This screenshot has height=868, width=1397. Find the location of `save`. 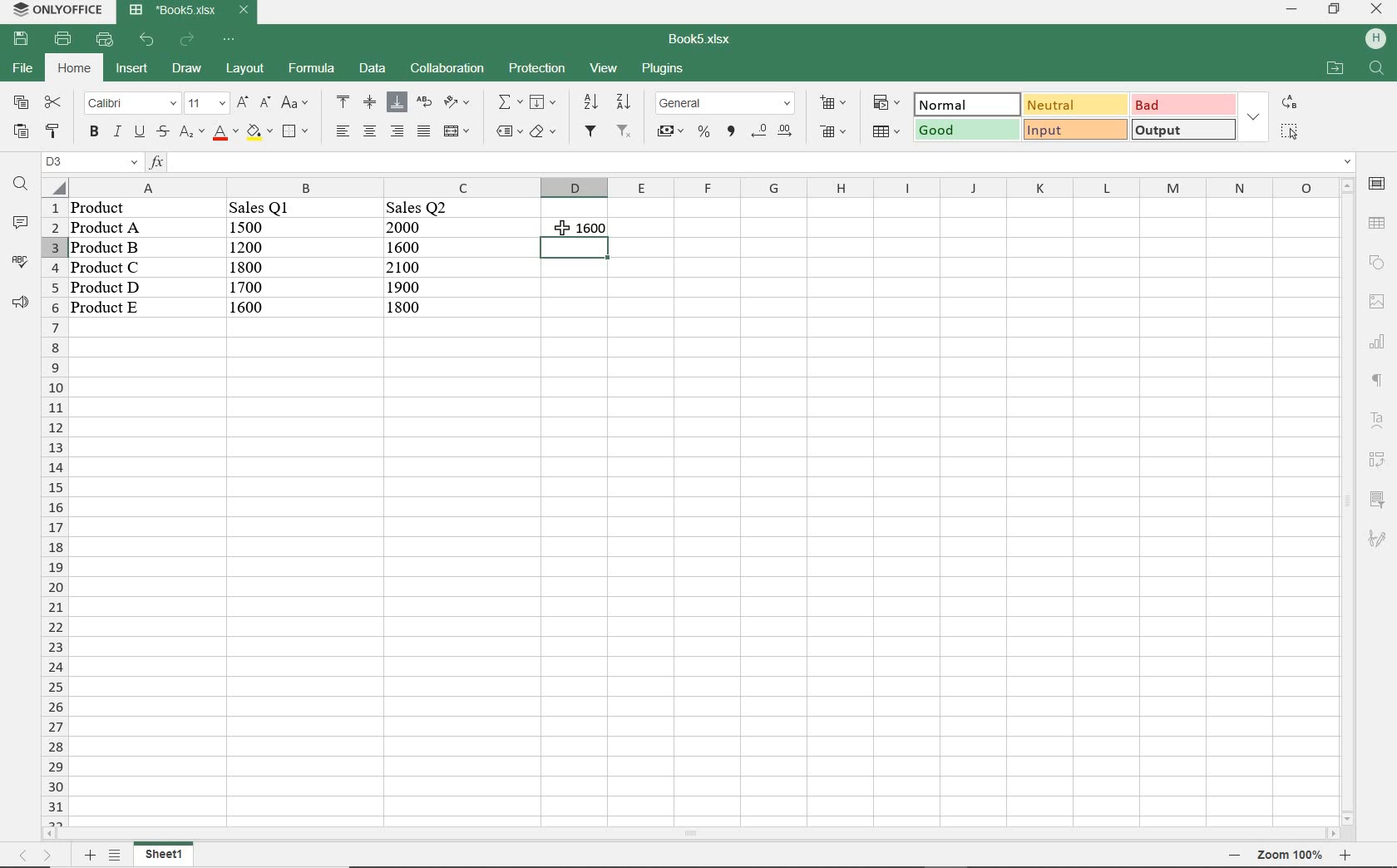

save is located at coordinates (20, 37).